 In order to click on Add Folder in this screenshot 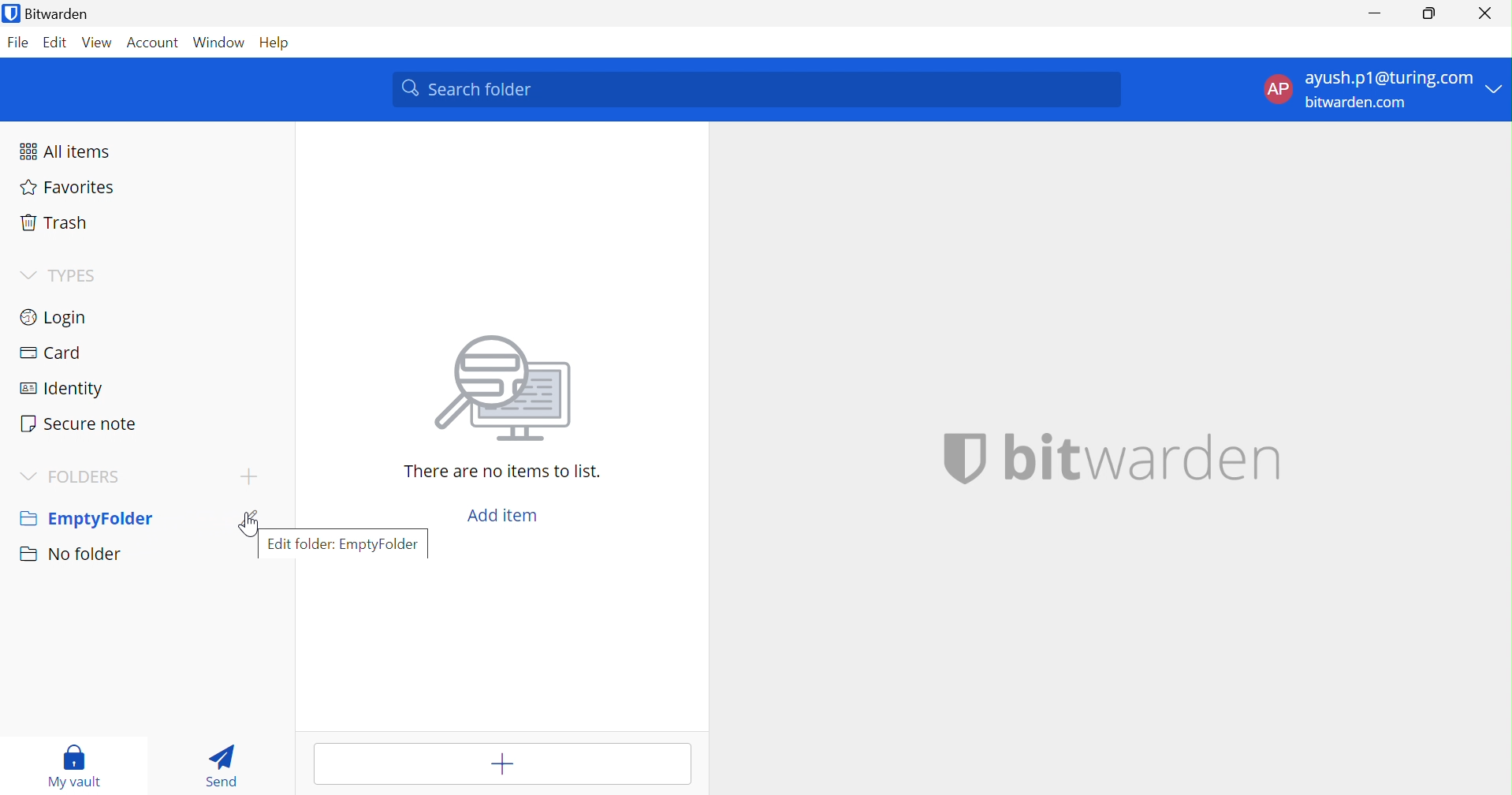, I will do `click(252, 476)`.